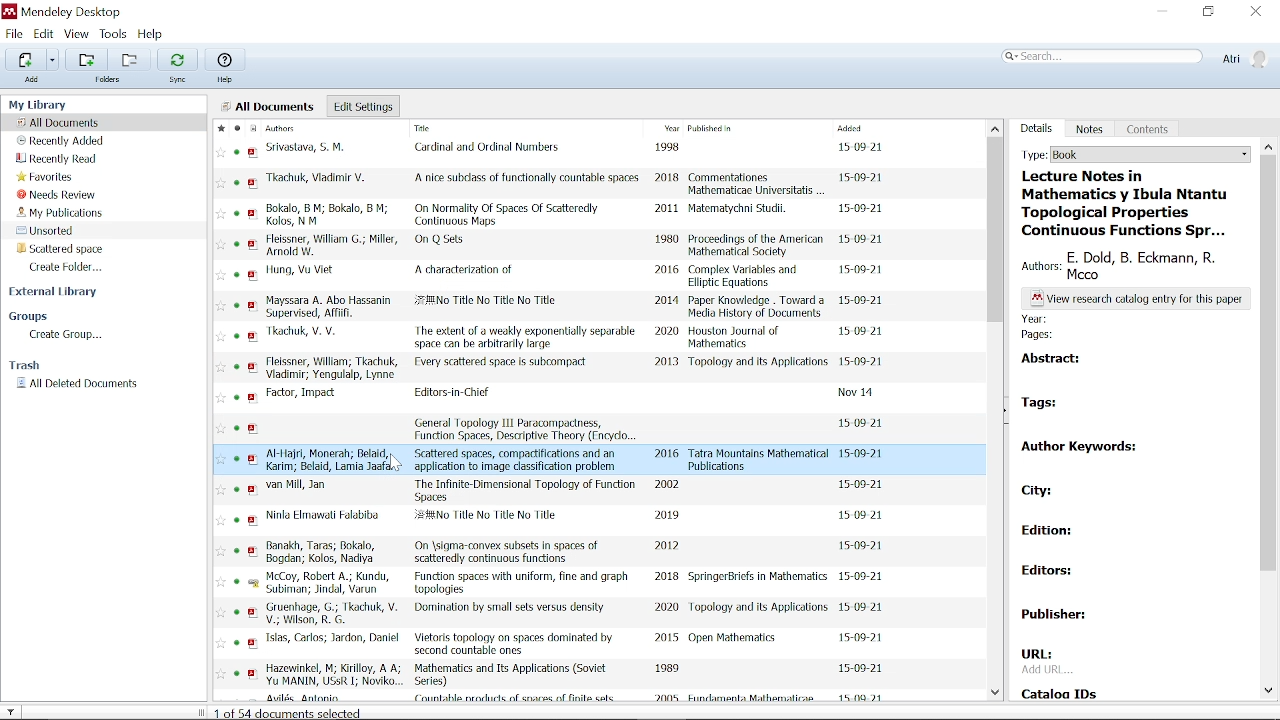 The height and width of the screenshot is (720, 1280). What do you see at coordinates (1059, 616) in the screenshot?
I see `publisher` at bounding box center [1059, 616].